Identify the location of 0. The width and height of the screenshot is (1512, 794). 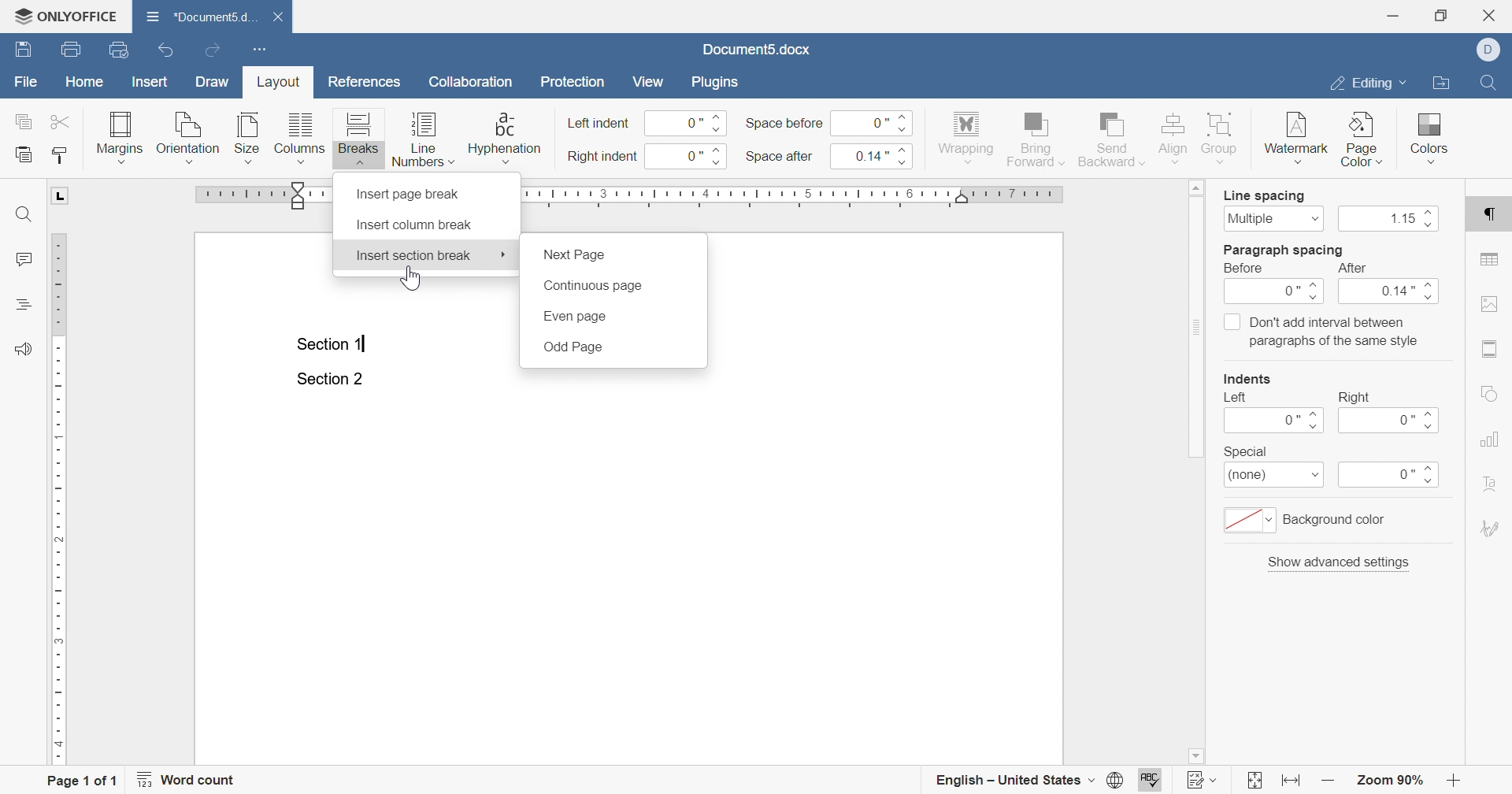
(1390, 476).